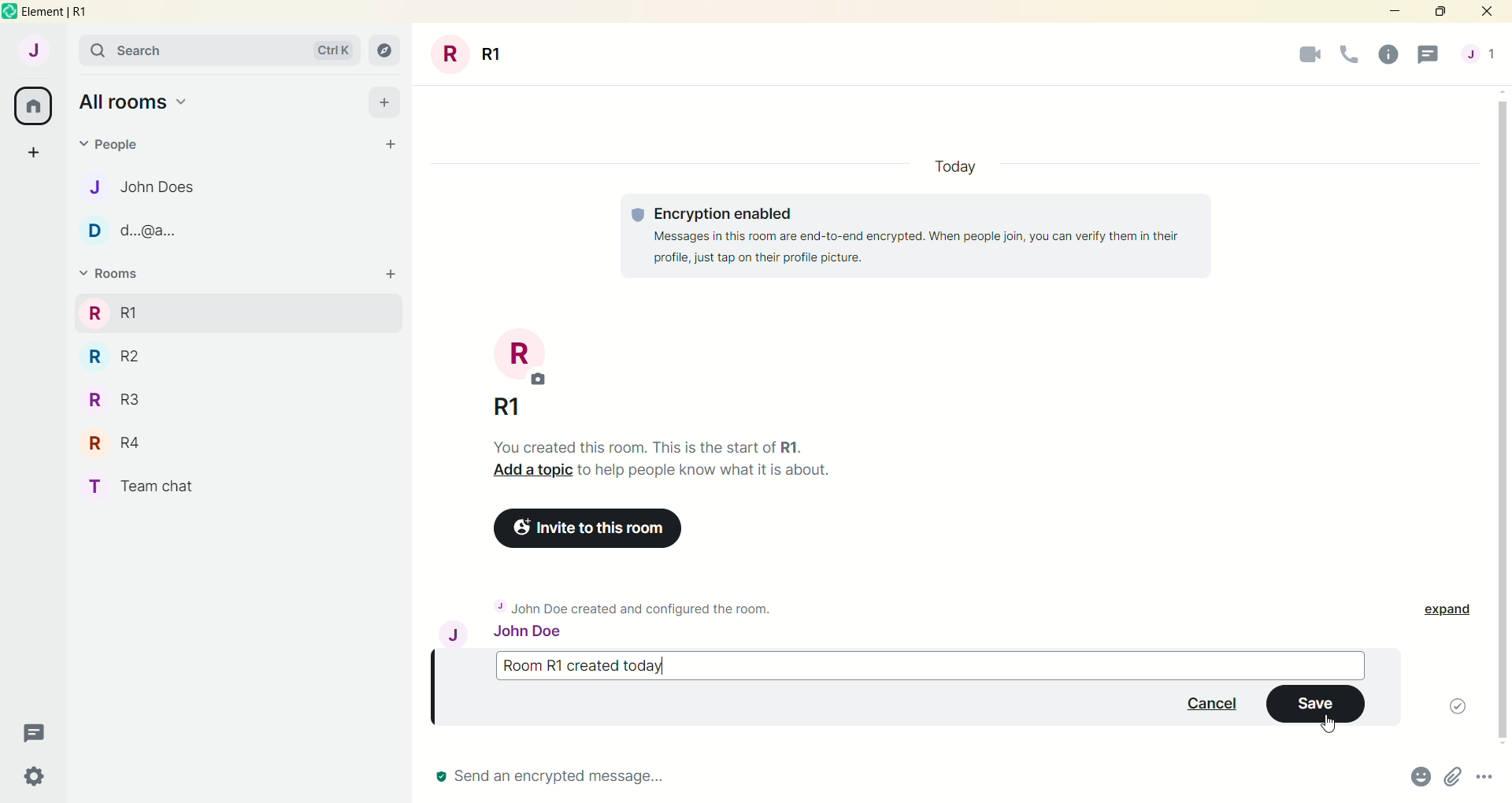 This screenshot has height=803, width=1512. Describe the element at coordinates (1480, 53) in the screenshot. I see `people` at that location.